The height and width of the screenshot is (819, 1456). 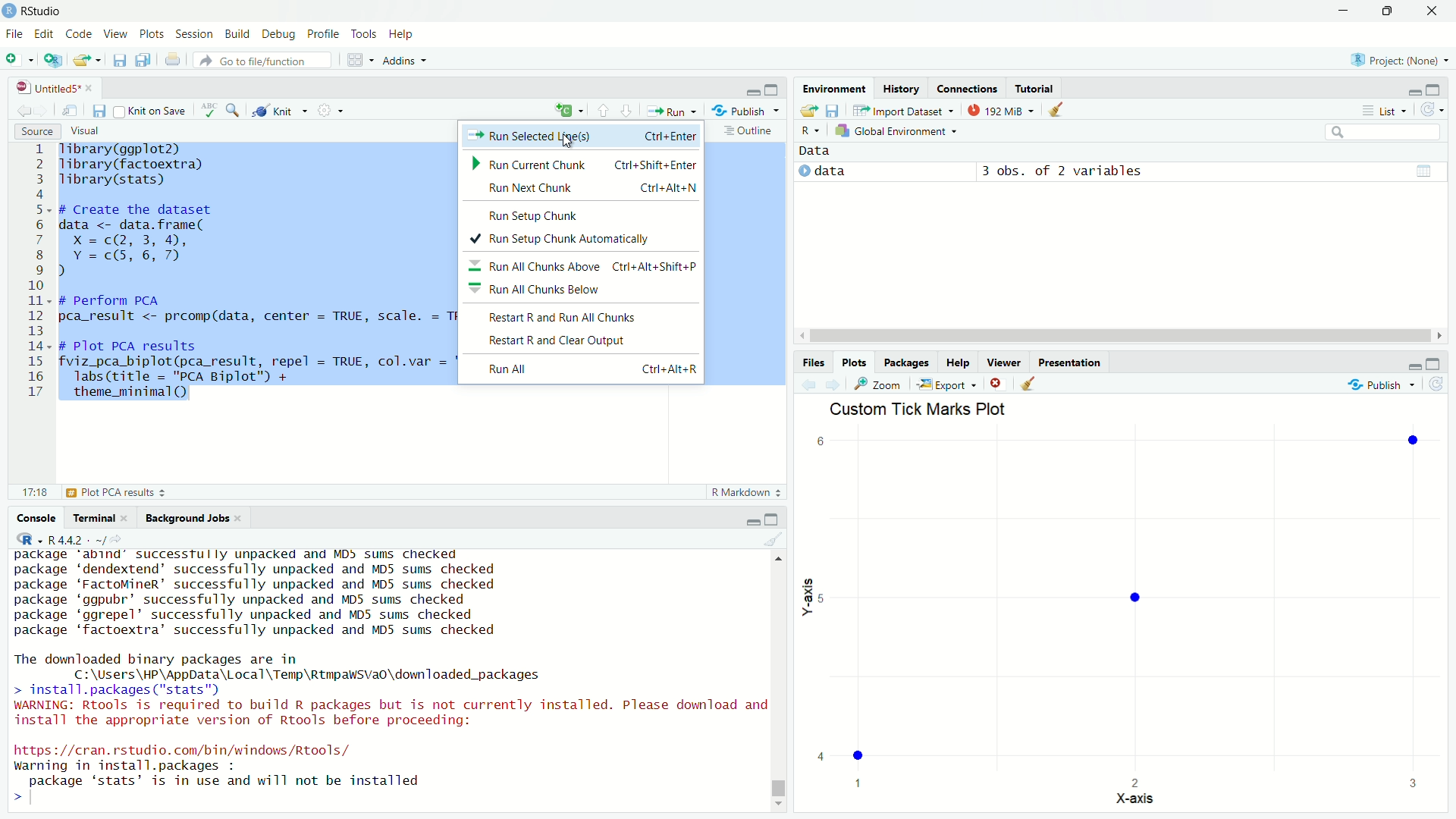 I want to click on source, so click(x=35, y=130).